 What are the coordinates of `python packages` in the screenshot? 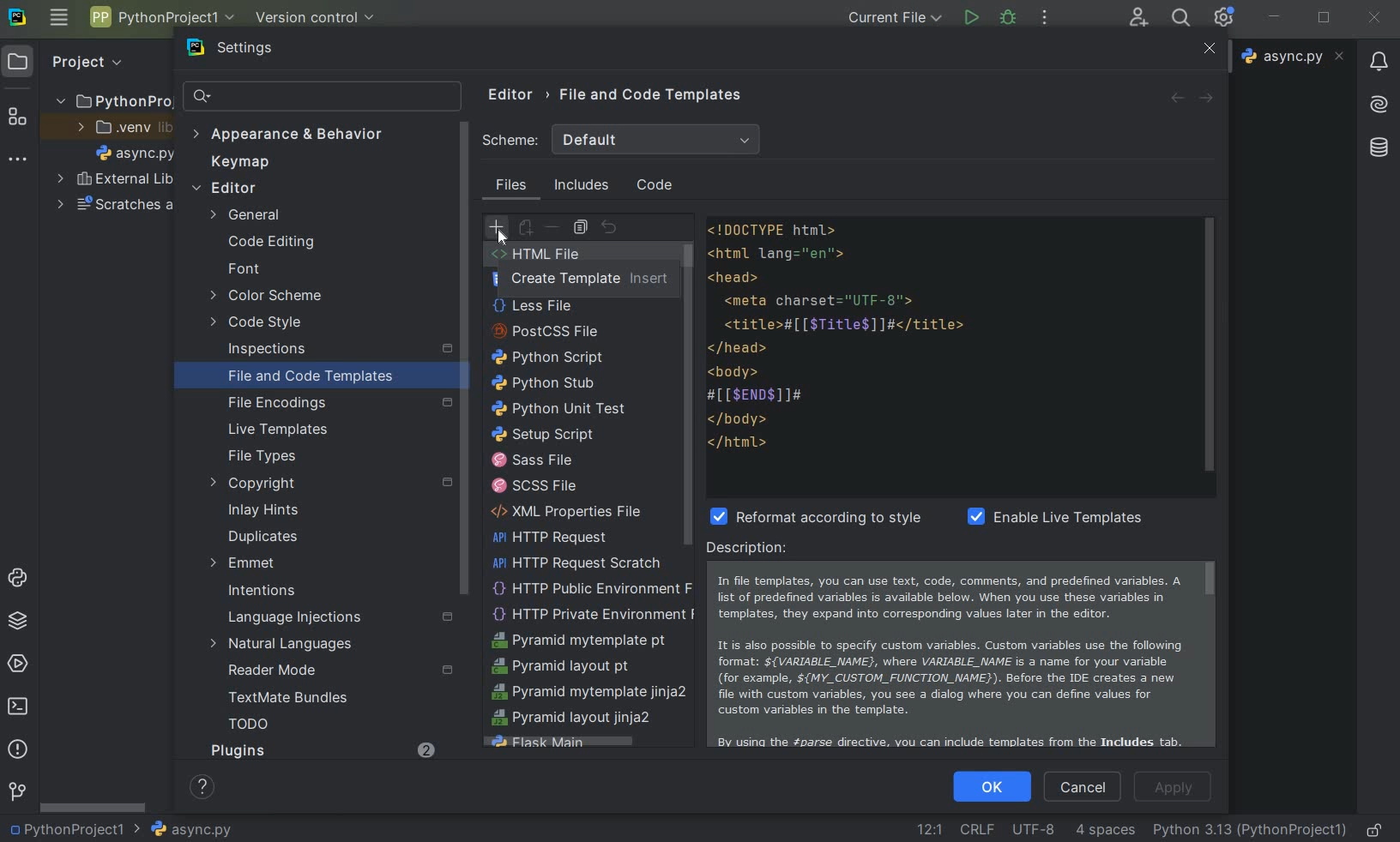 It's located at (19, 619).